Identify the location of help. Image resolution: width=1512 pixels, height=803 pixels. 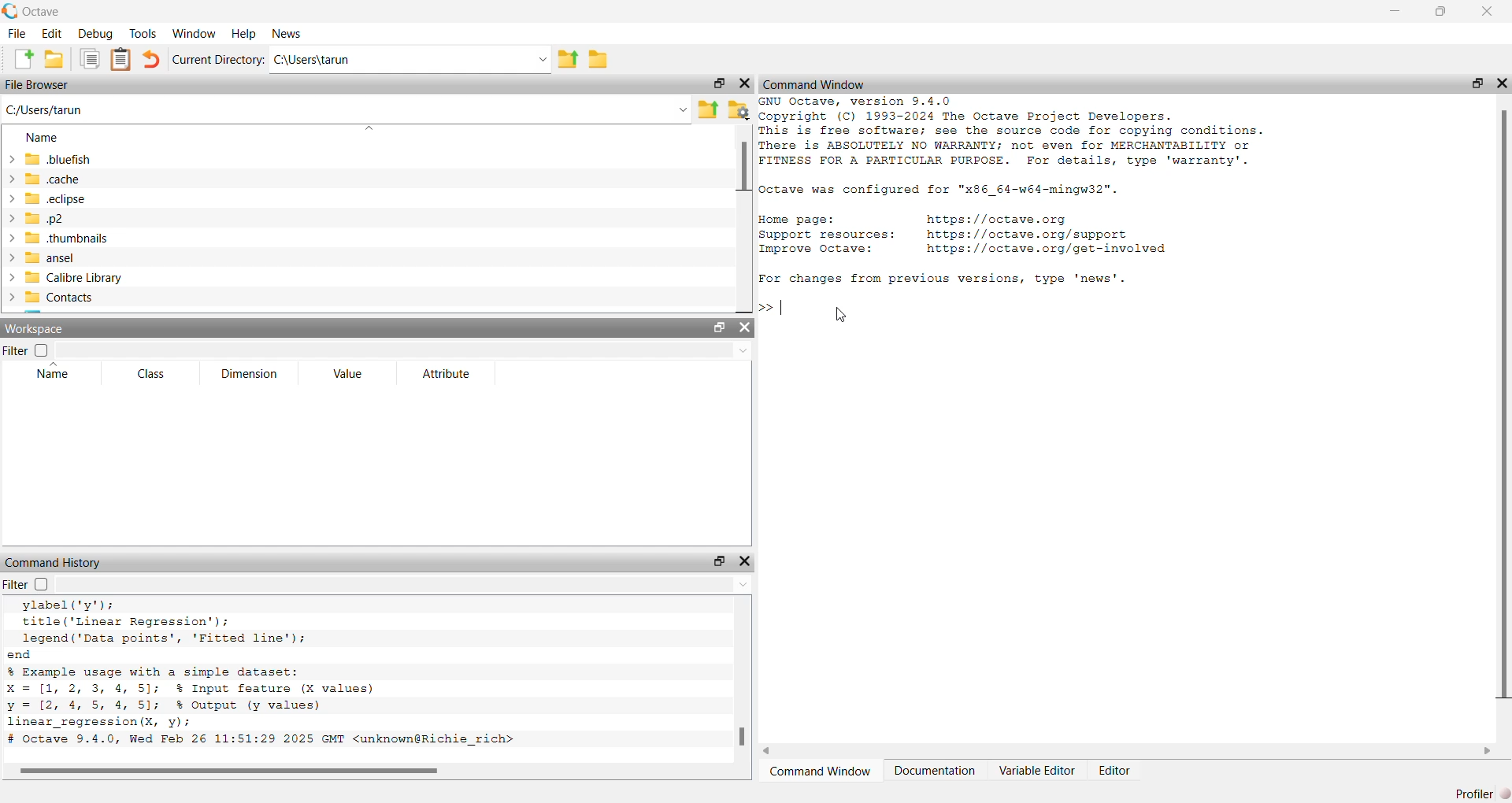
(245, 33).